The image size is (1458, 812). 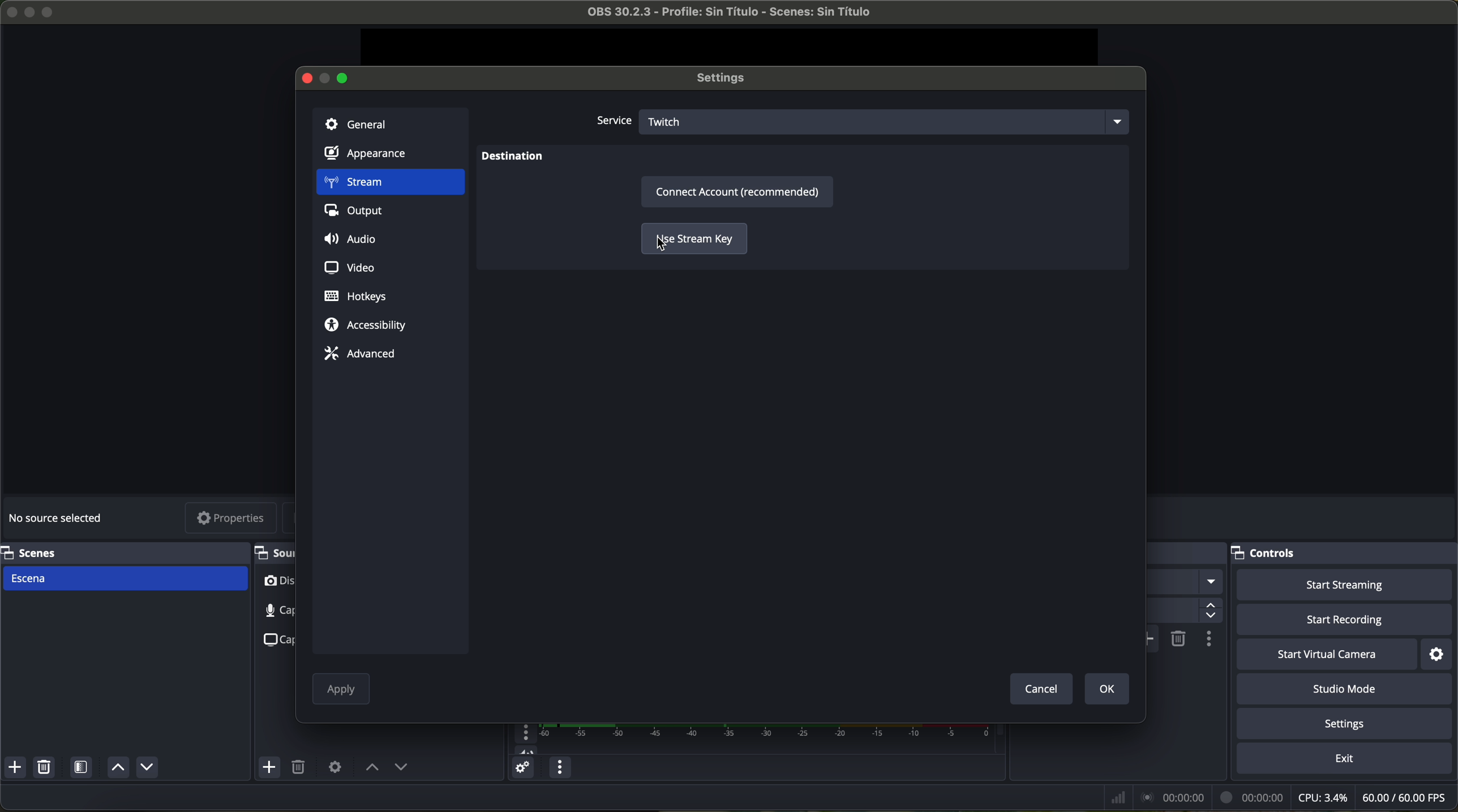 What do you see at coordinates (344, 77) in the screenshot?
I see `maximize window` at bounding box center [344, 77].